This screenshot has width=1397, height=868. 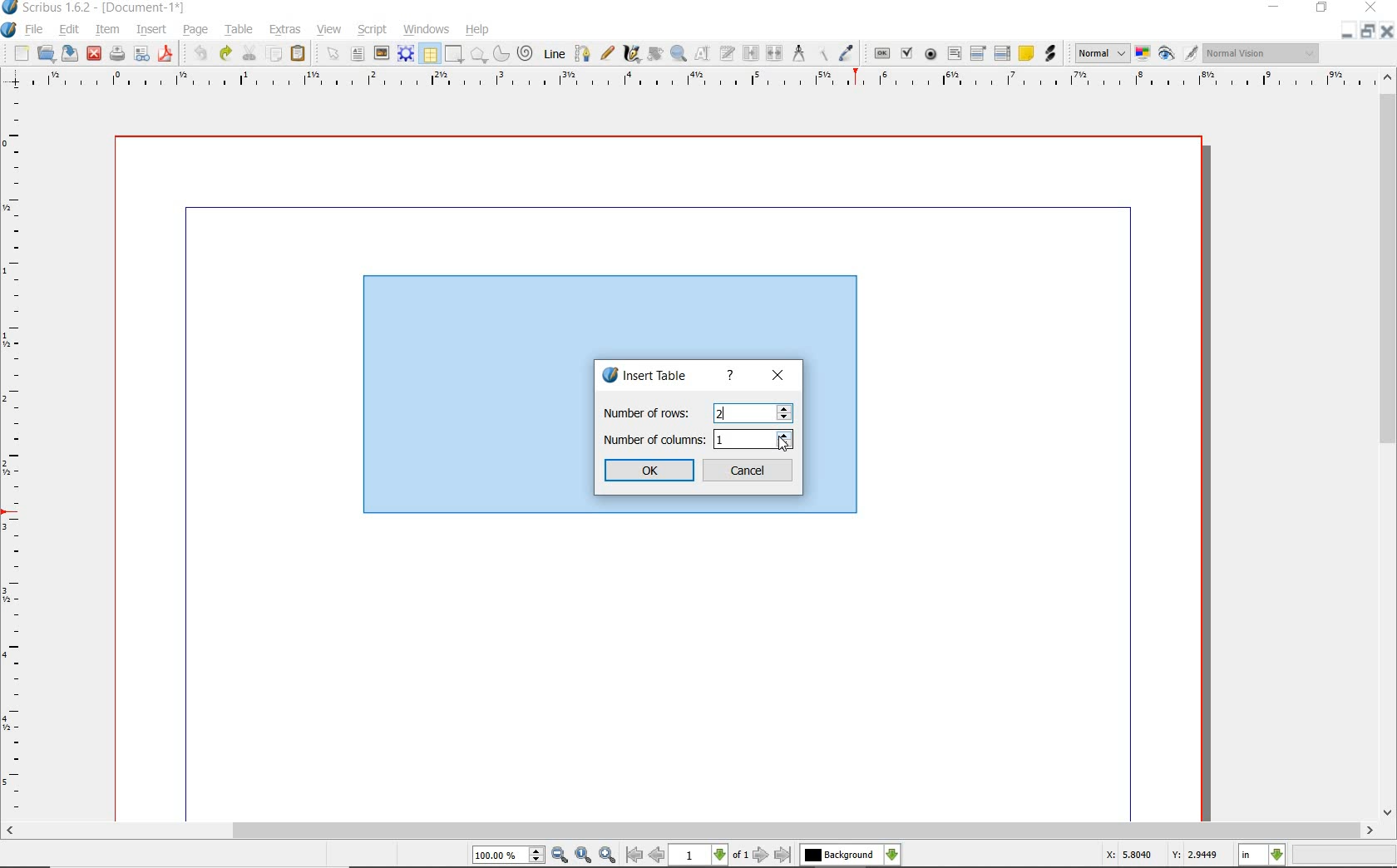 What do you see at coordinates (16, 455) in the screenshot?
I see `ruler` at bounding box center [16, 455].